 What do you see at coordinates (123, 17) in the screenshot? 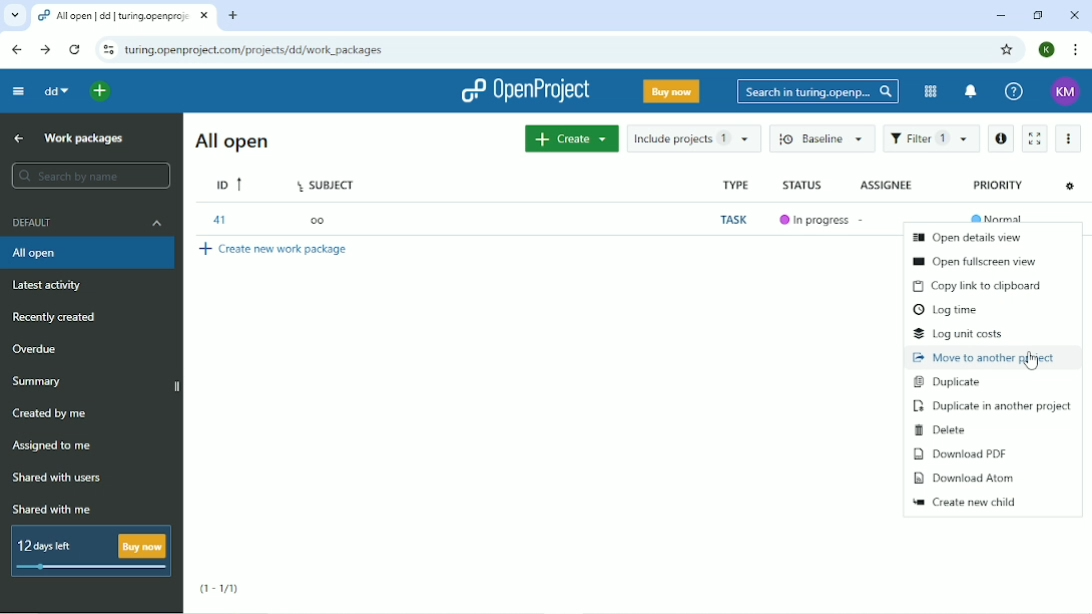
I see `Current tab` at bounding box center [123, 17].